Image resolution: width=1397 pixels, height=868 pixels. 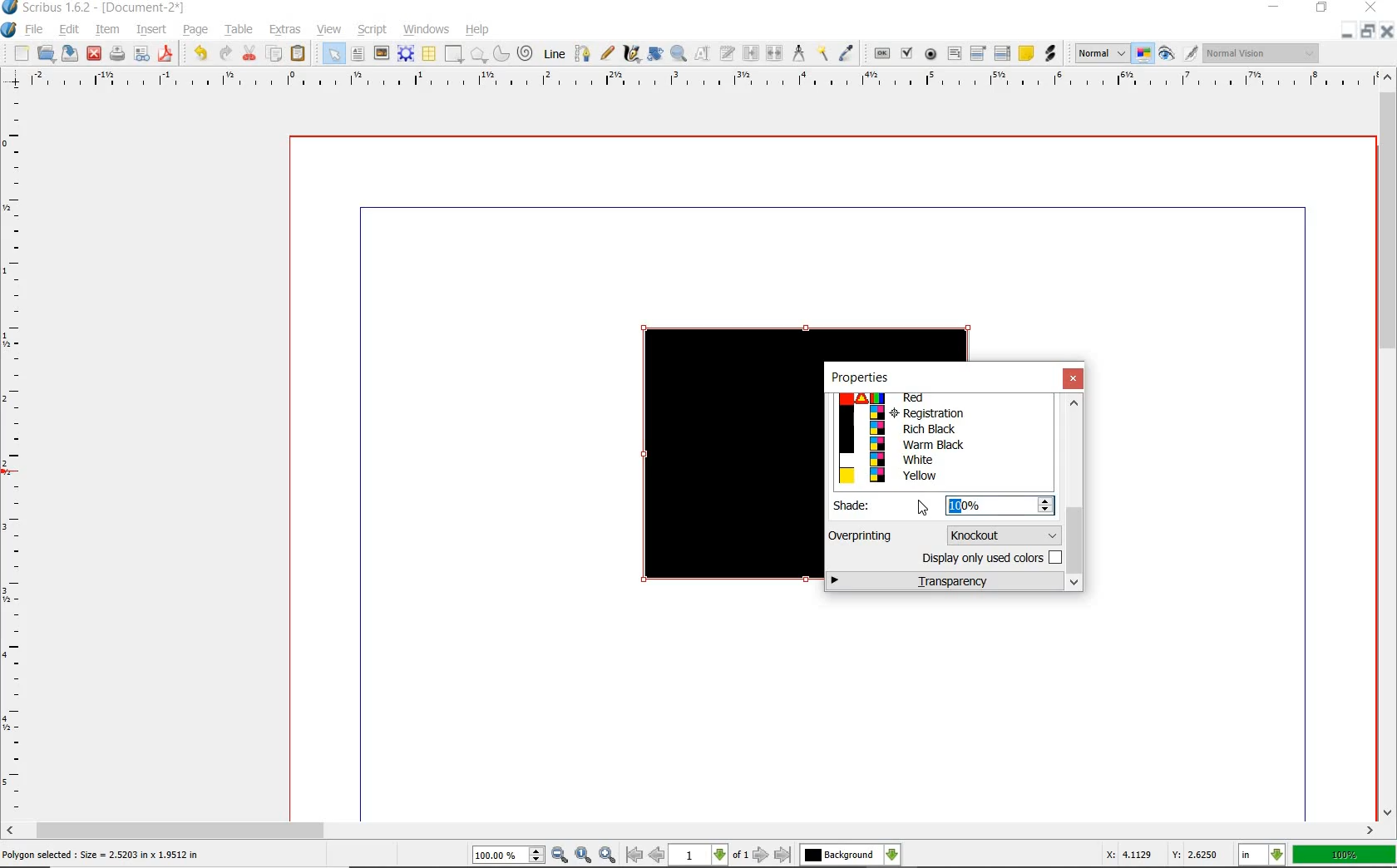 What do you see at coordinates (679, 53) in the screenshot?
I see `zoom in or out` at bounding box center [679, 53].